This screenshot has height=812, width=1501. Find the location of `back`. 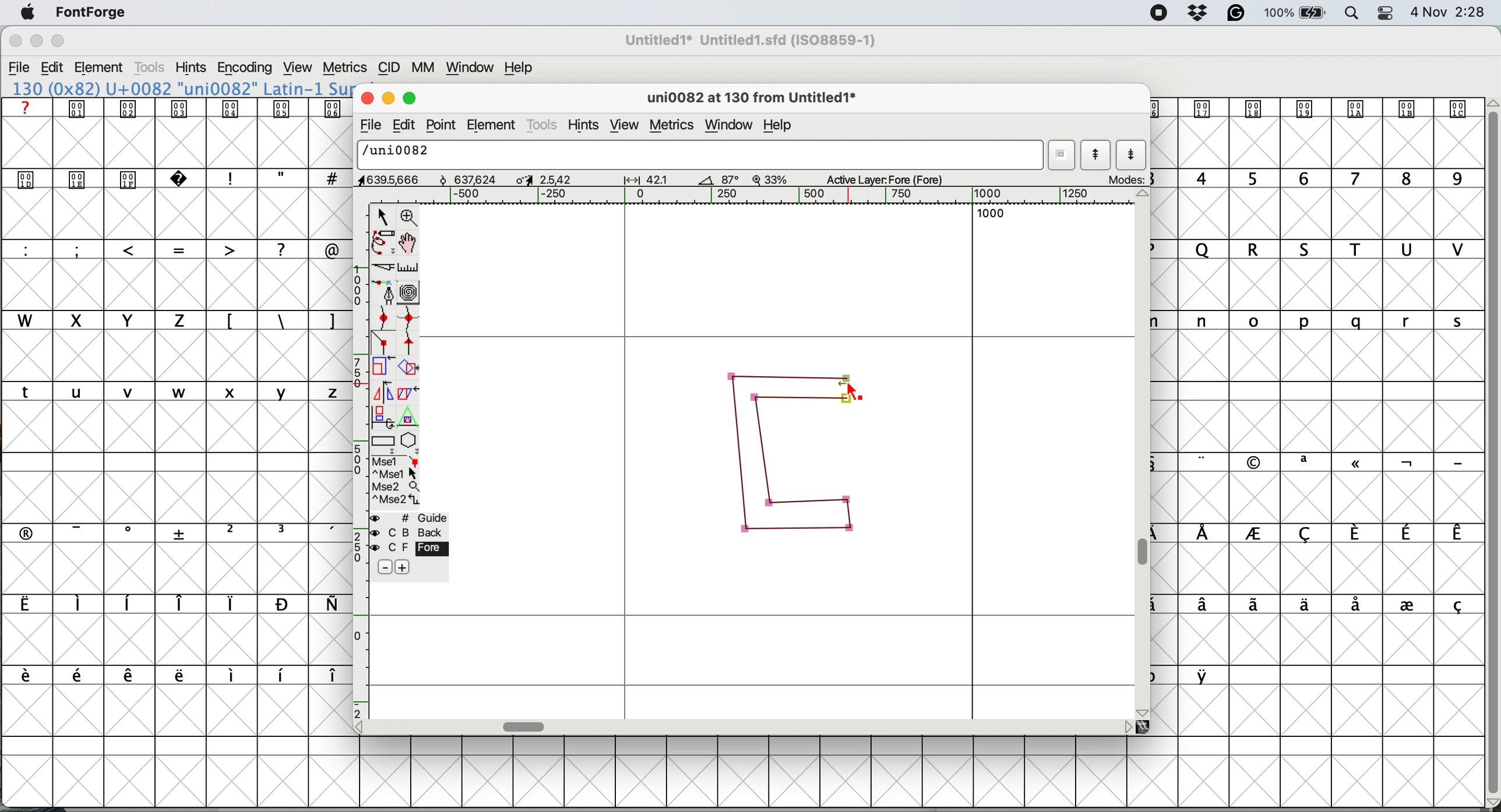

back is located at coordinates (410, 532).